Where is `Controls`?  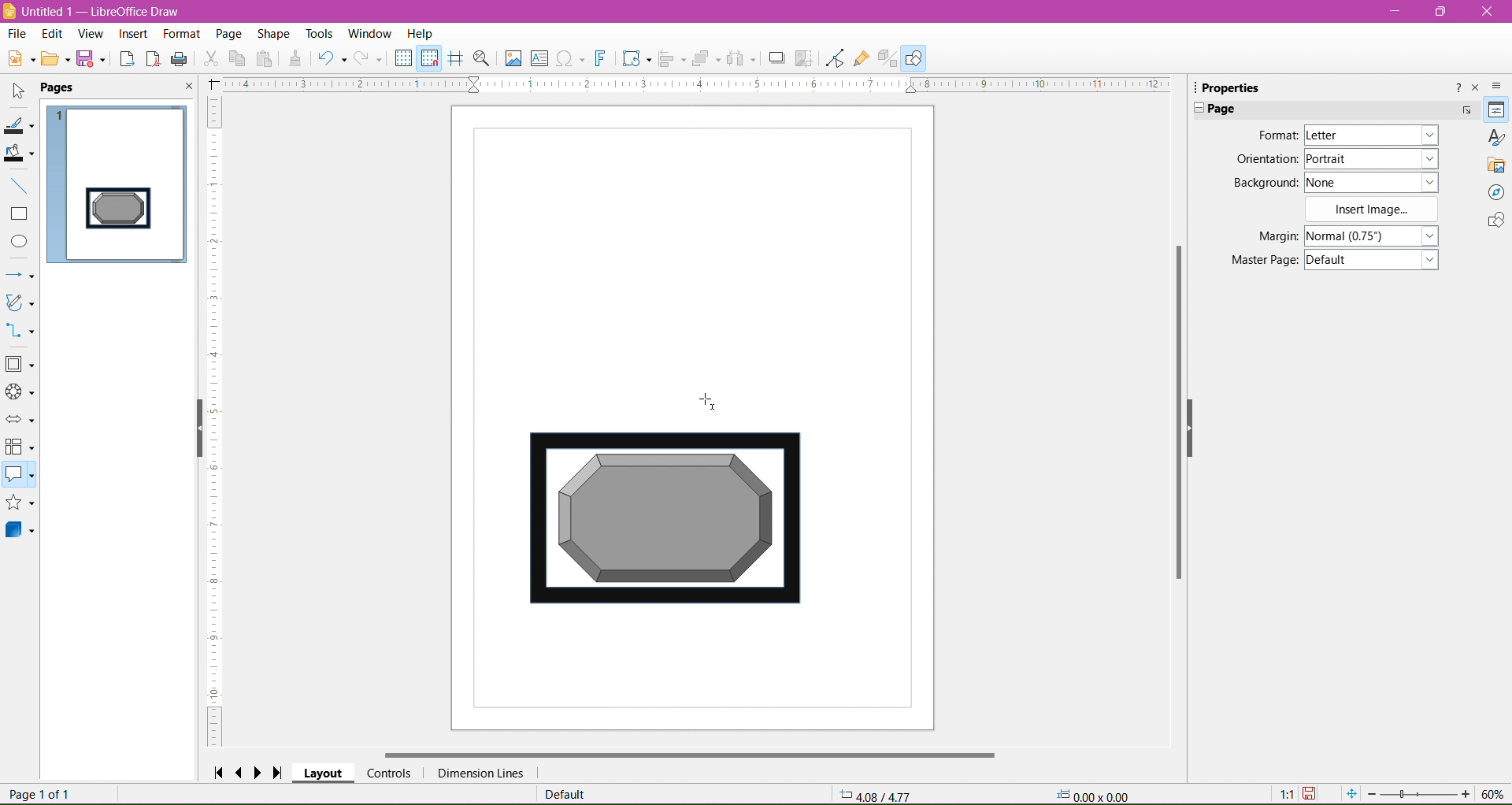
Controls is located at coordinates (389, 773).